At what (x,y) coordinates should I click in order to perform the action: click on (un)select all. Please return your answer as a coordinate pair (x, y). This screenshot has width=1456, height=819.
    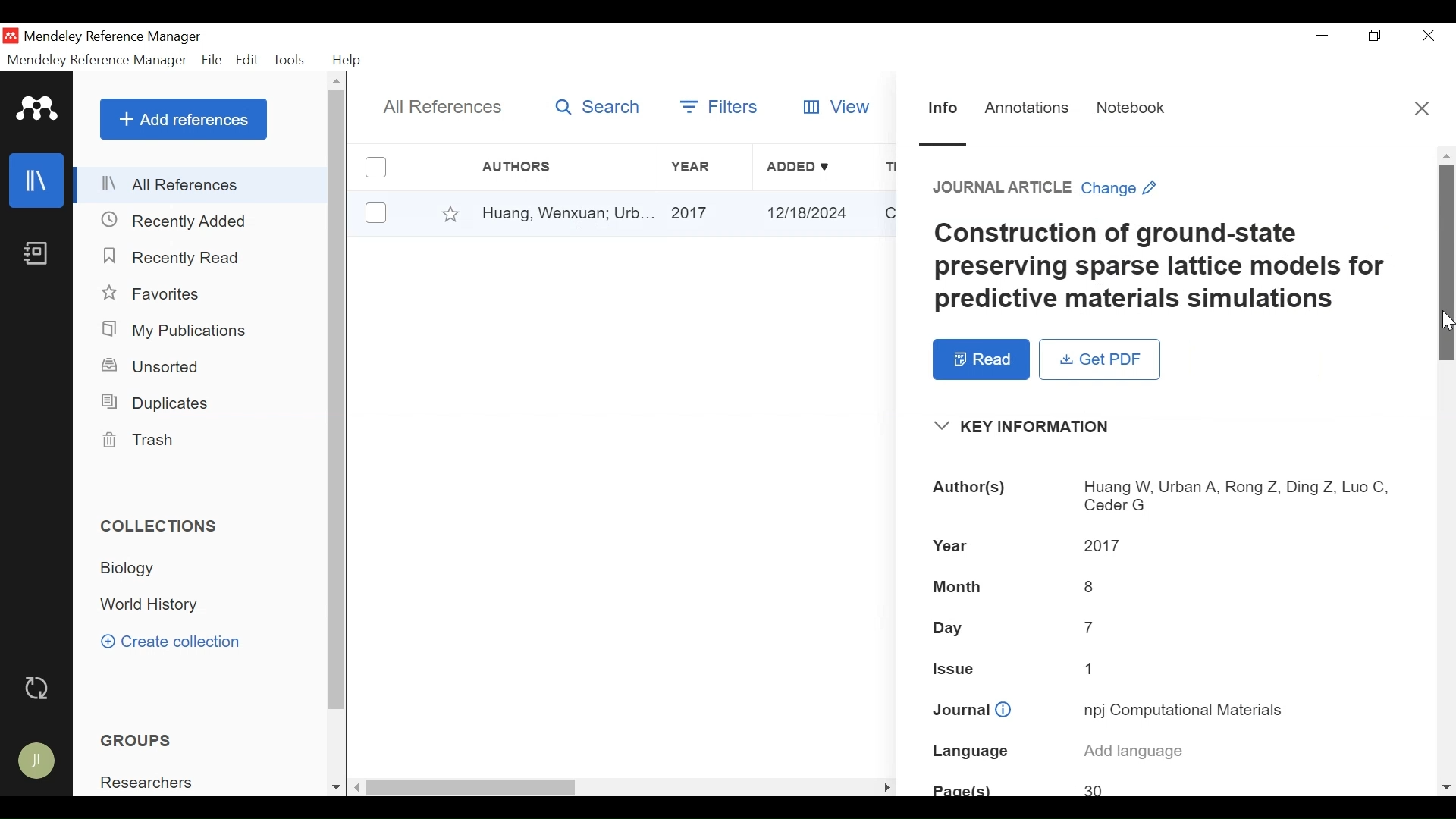
    Looking at the image, I should click on (375, 167).